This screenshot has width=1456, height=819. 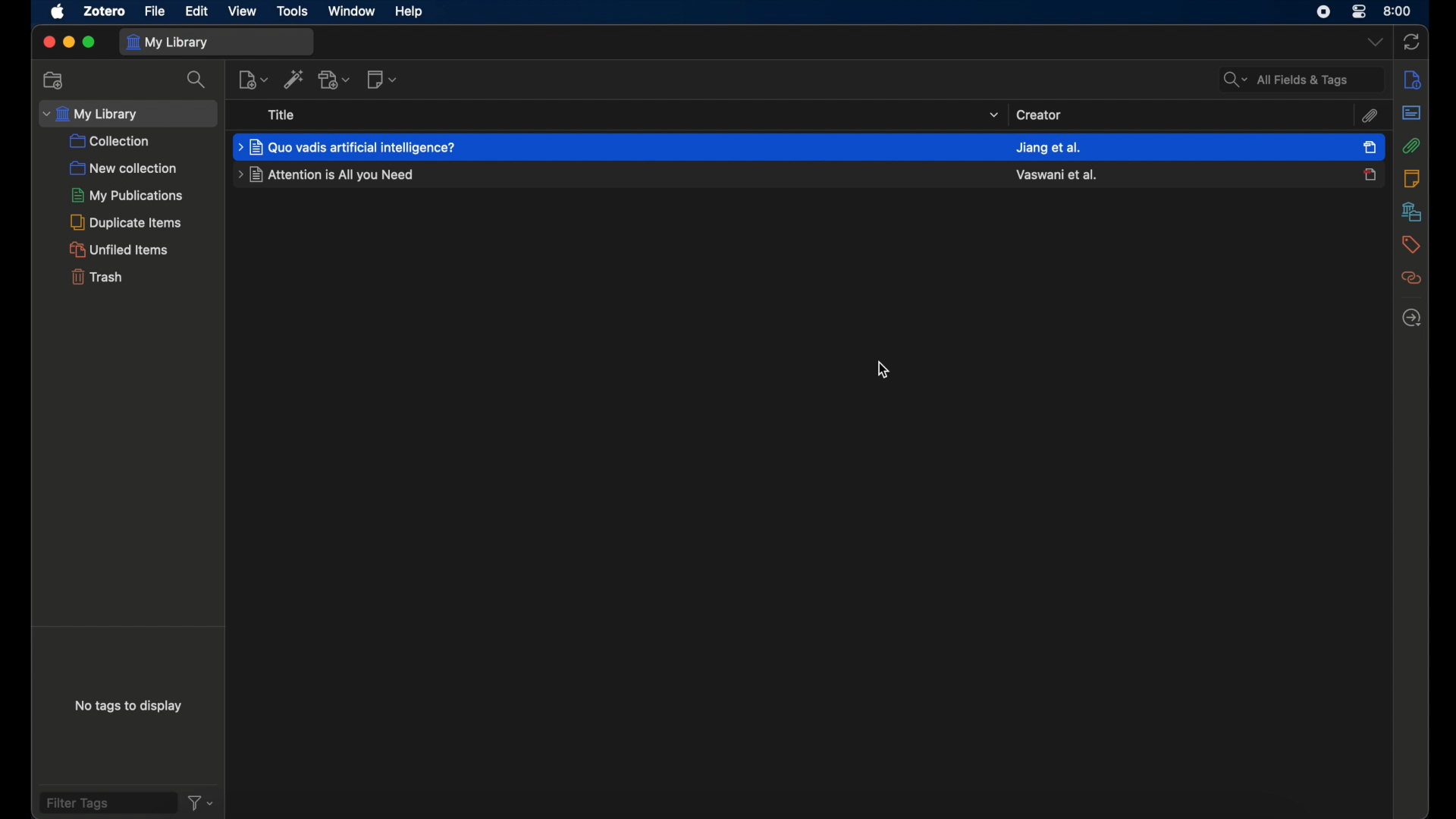 I want to click on highlighted item, so click(x=615, y=146).